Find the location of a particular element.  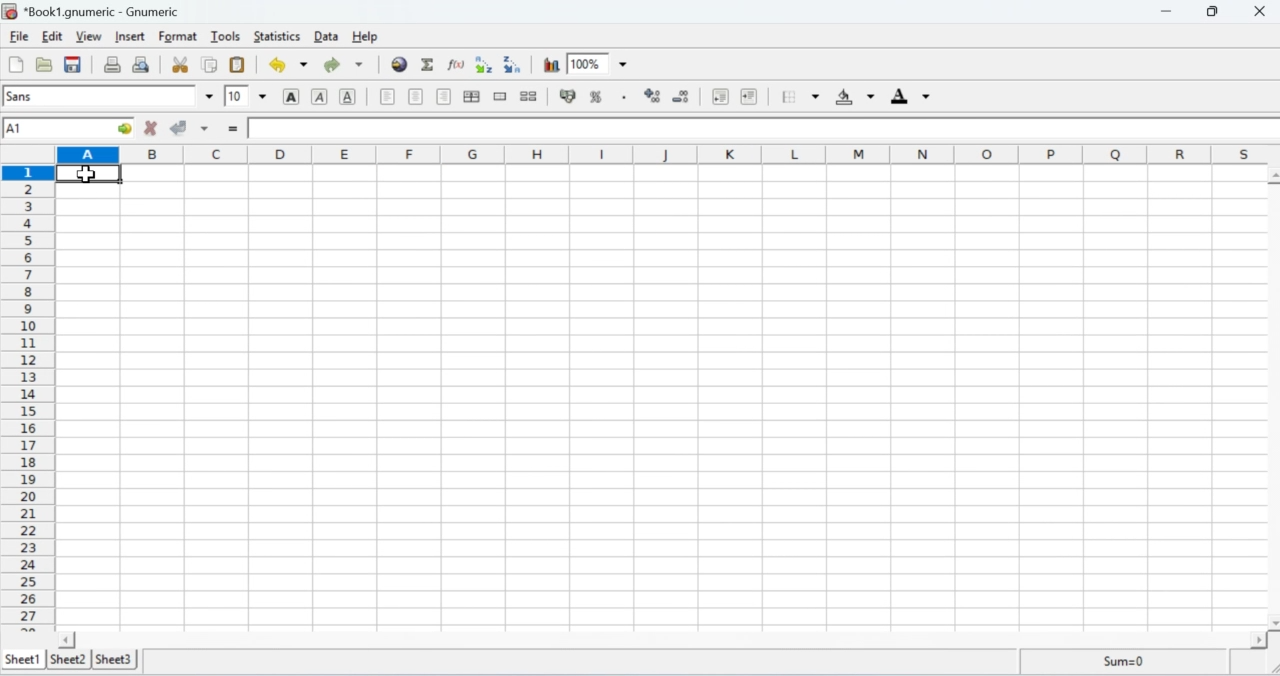

Print the current file is located at coordinates (113, 64).